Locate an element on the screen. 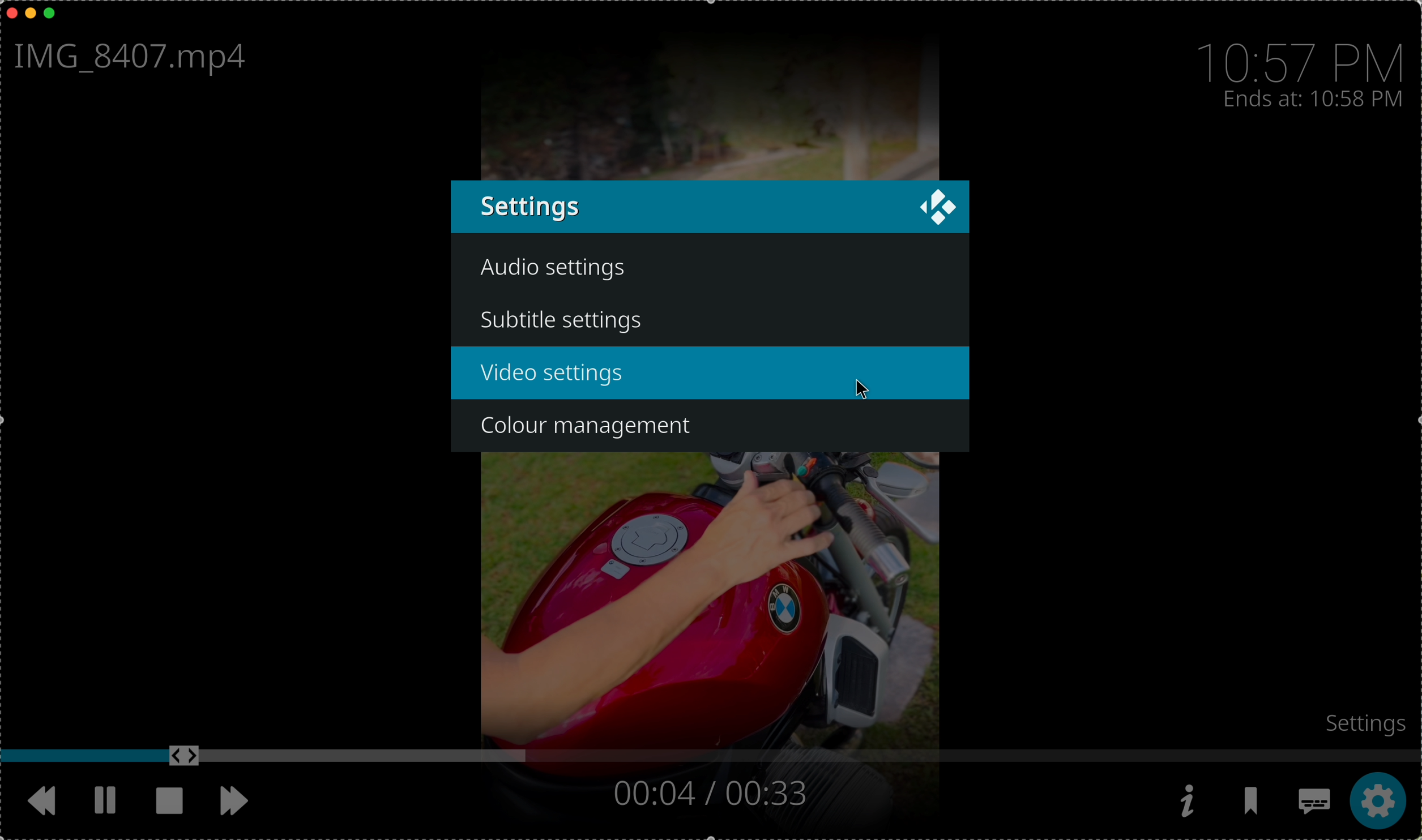  bookmarks is located at coordinates (1253, 803).